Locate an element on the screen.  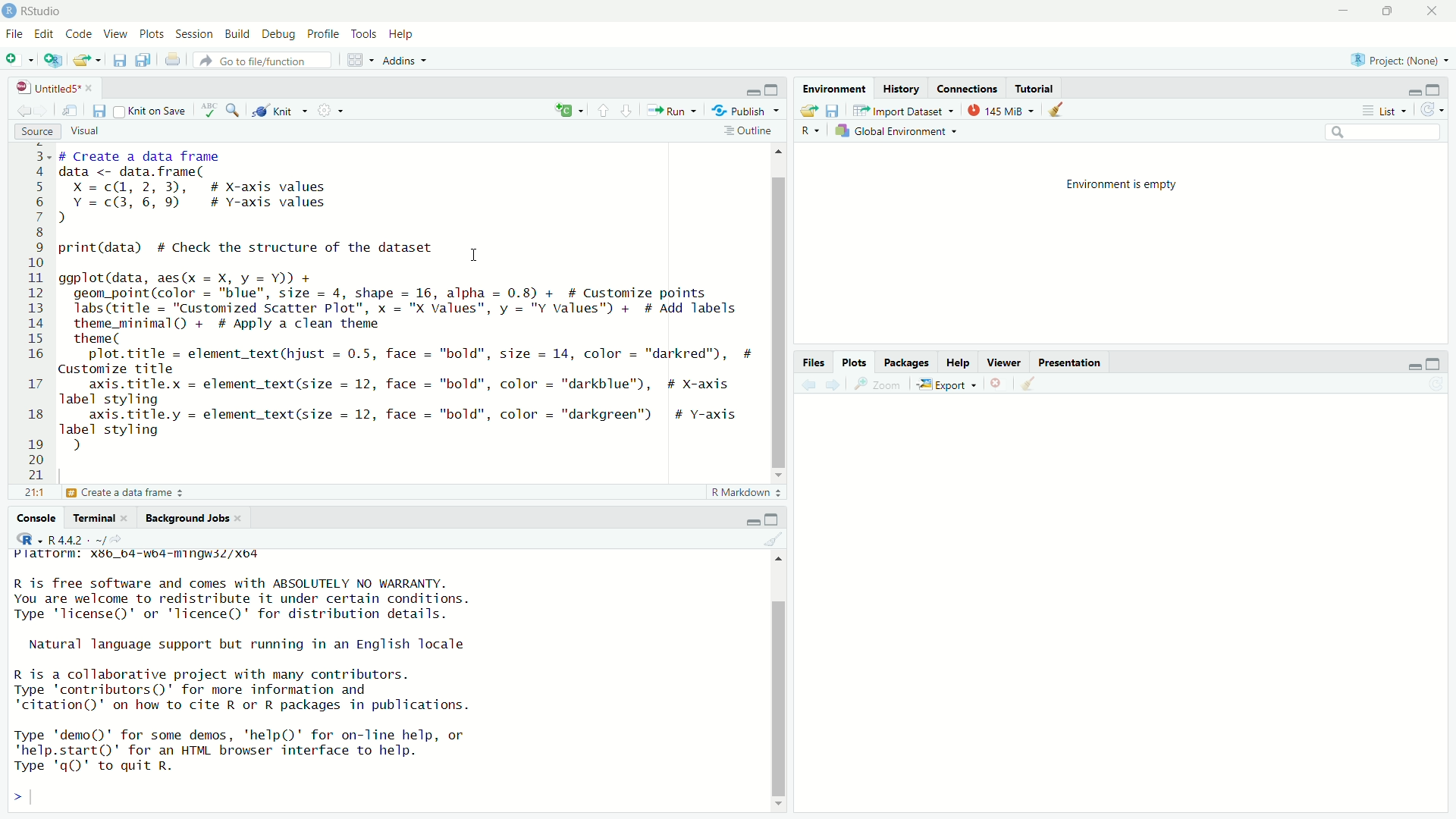
View is located at coordinates (115, 34).